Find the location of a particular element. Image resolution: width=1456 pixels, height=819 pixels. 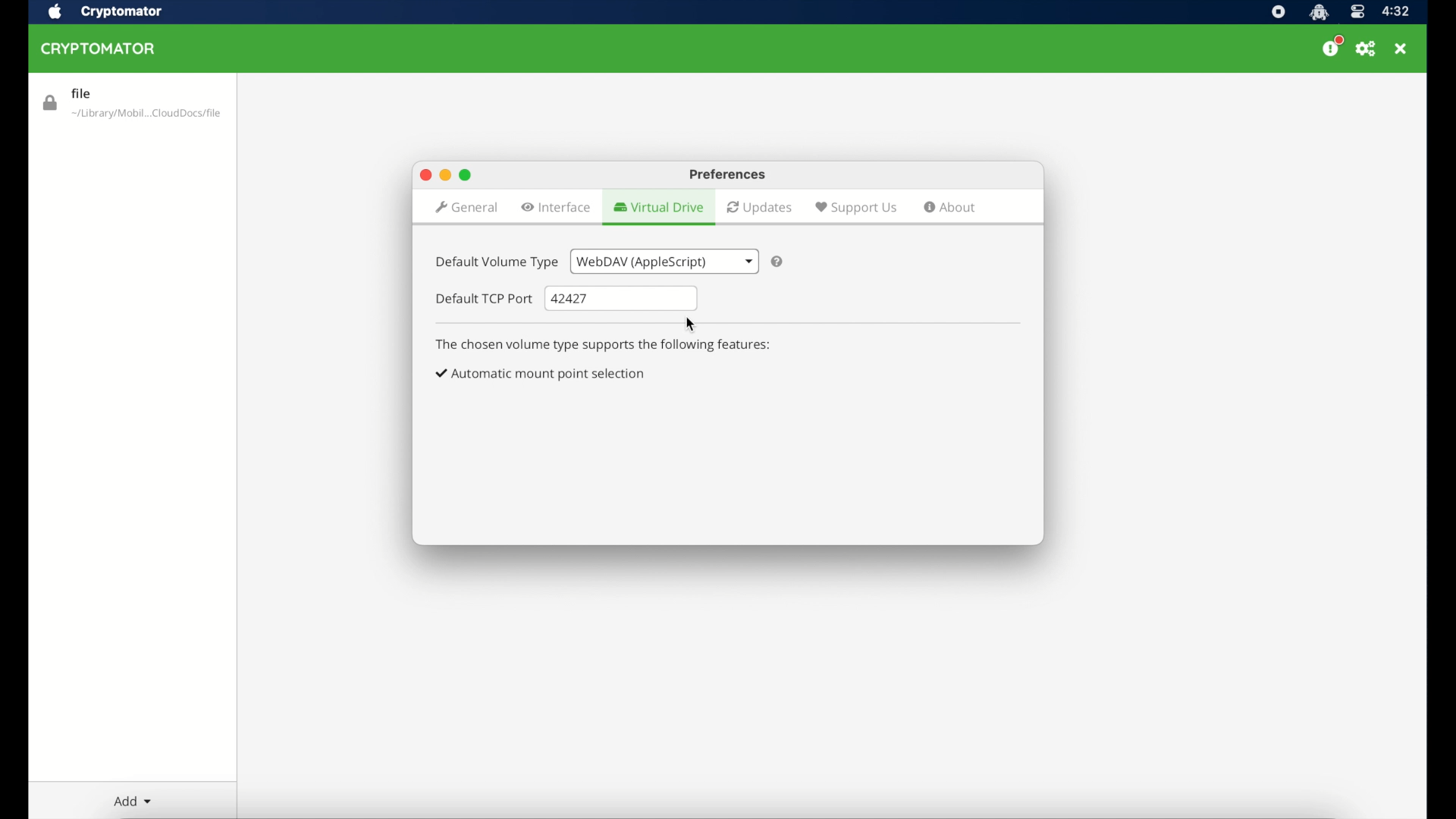

checkbox is located at coordinates (541, 374).